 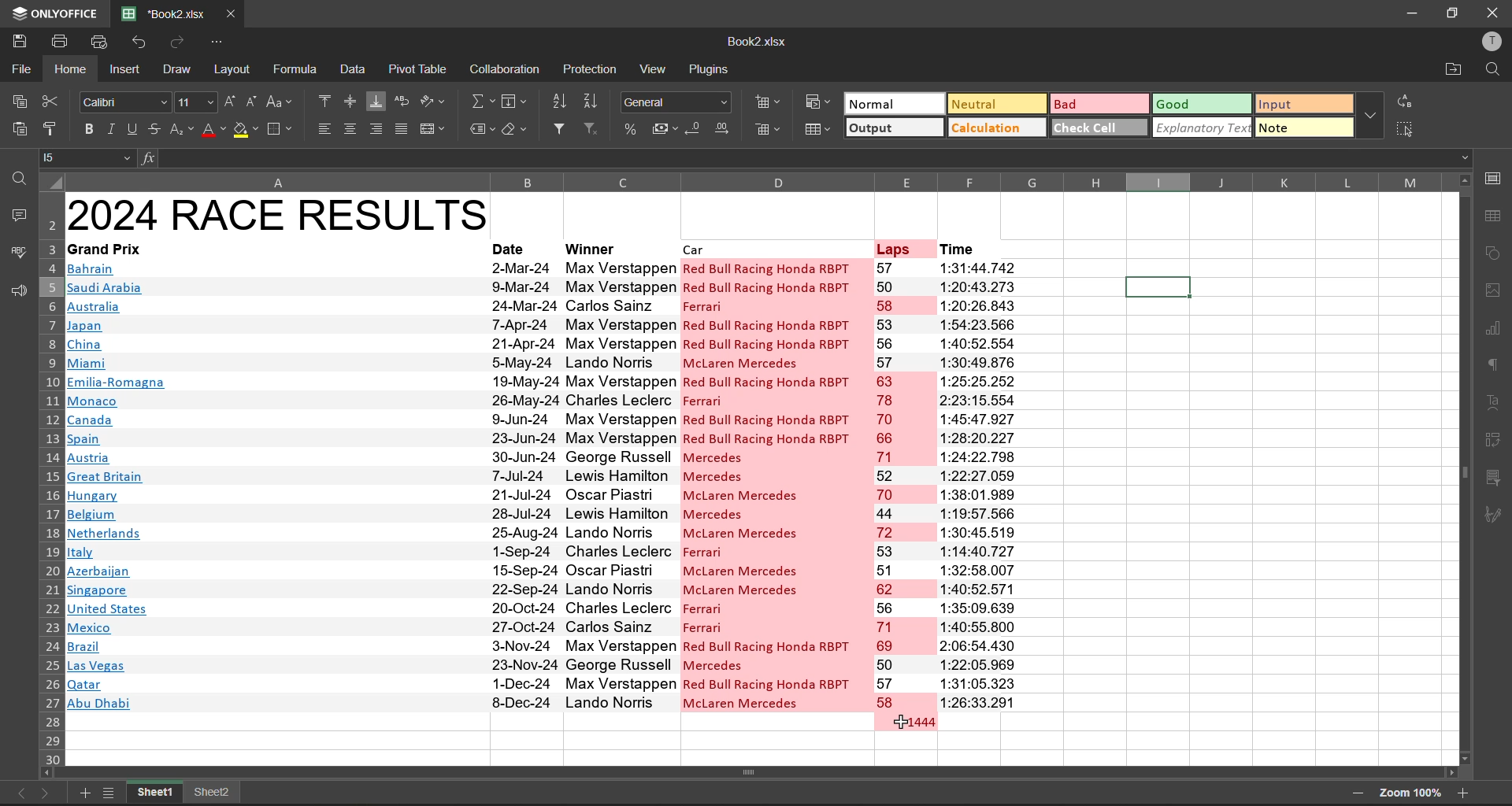 What do you see at coordinates (84, 793) in the screenshot?
I see `add new sheet` at bounding box center [84, 793].